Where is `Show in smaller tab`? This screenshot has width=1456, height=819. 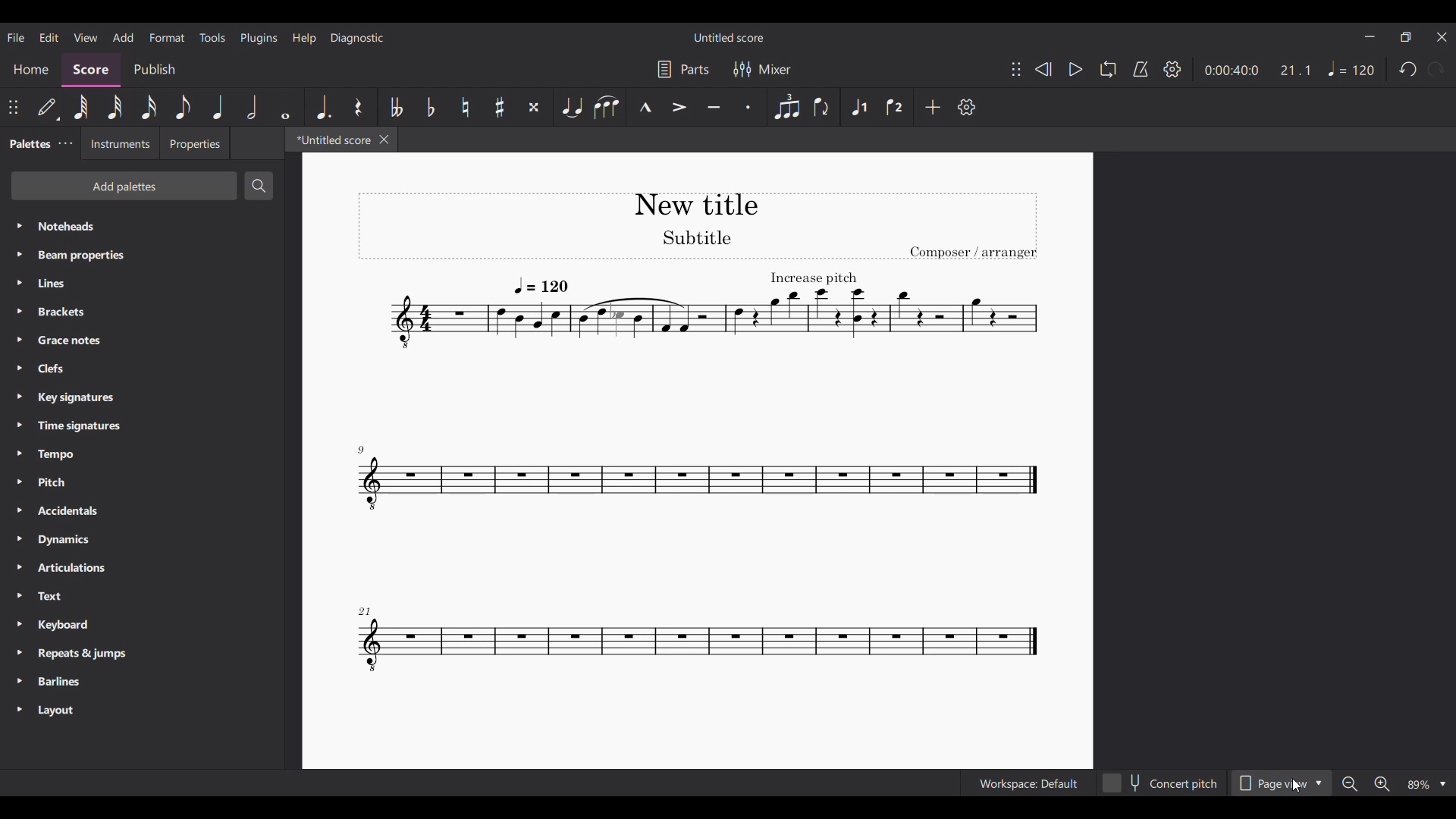
Show in smaller tab is located at coordinates (1406, 37).